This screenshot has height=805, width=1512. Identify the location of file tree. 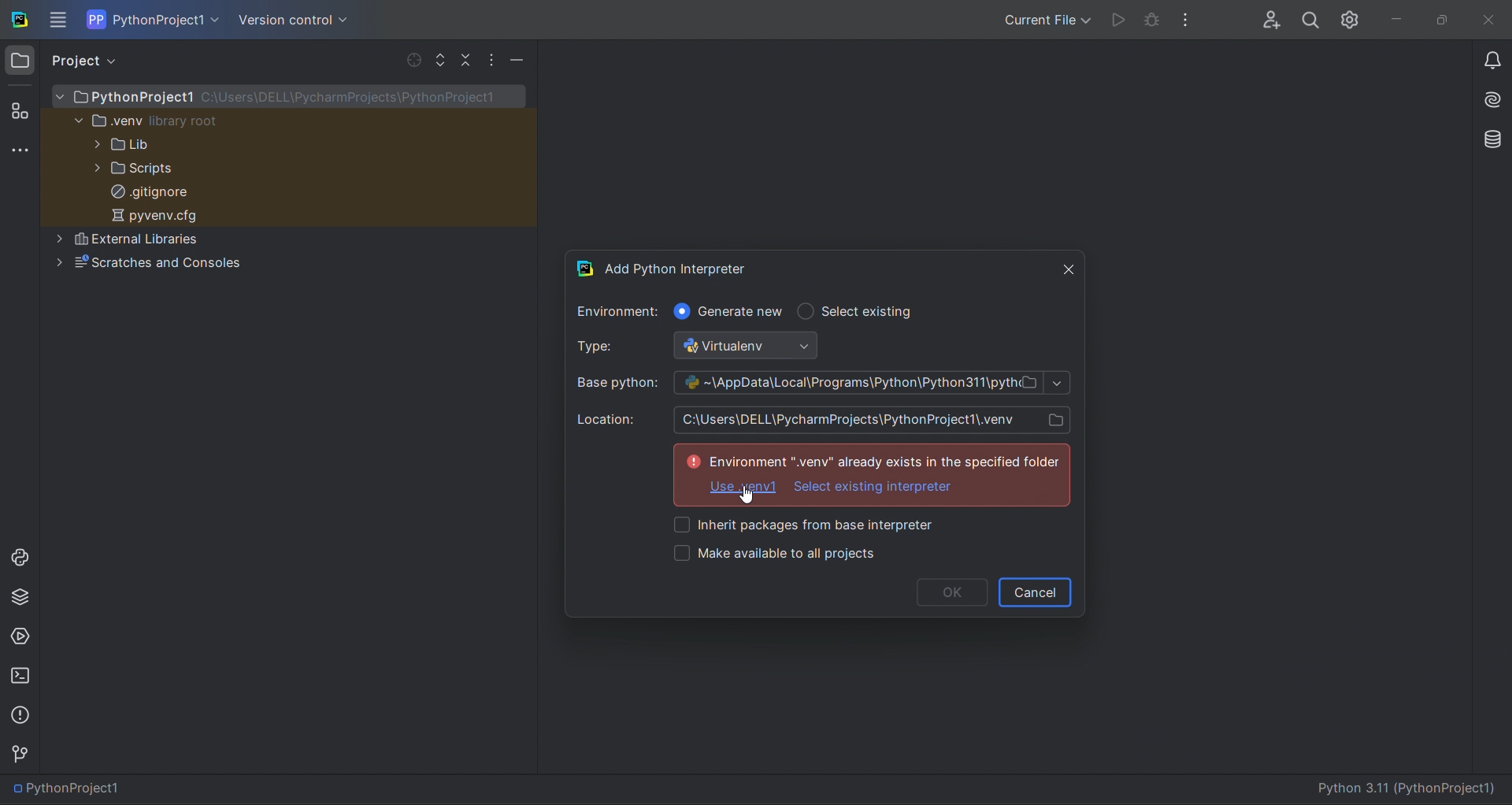
(289, 184).